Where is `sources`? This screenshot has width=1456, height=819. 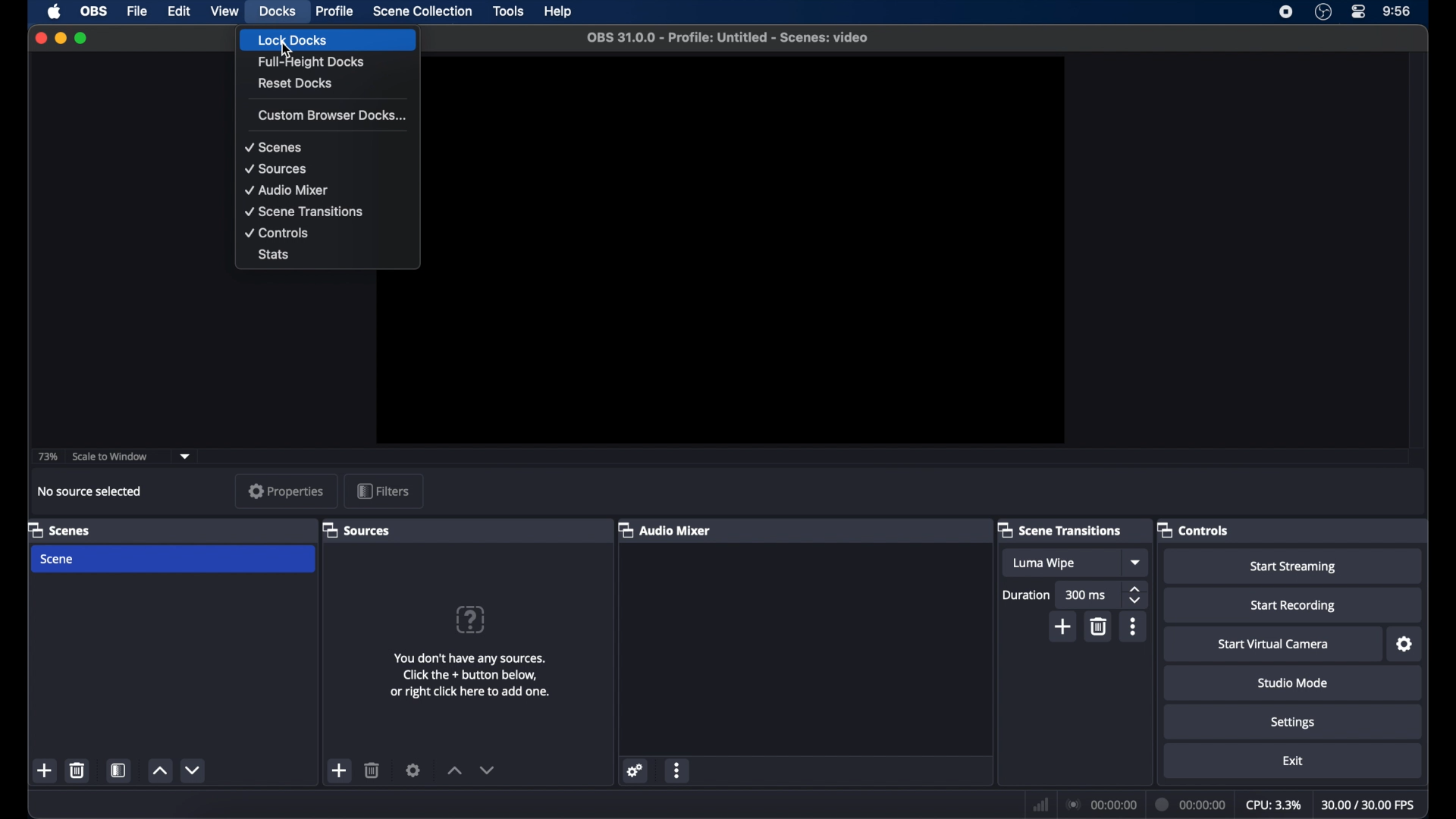
sources is located at coordinates (359, 531).